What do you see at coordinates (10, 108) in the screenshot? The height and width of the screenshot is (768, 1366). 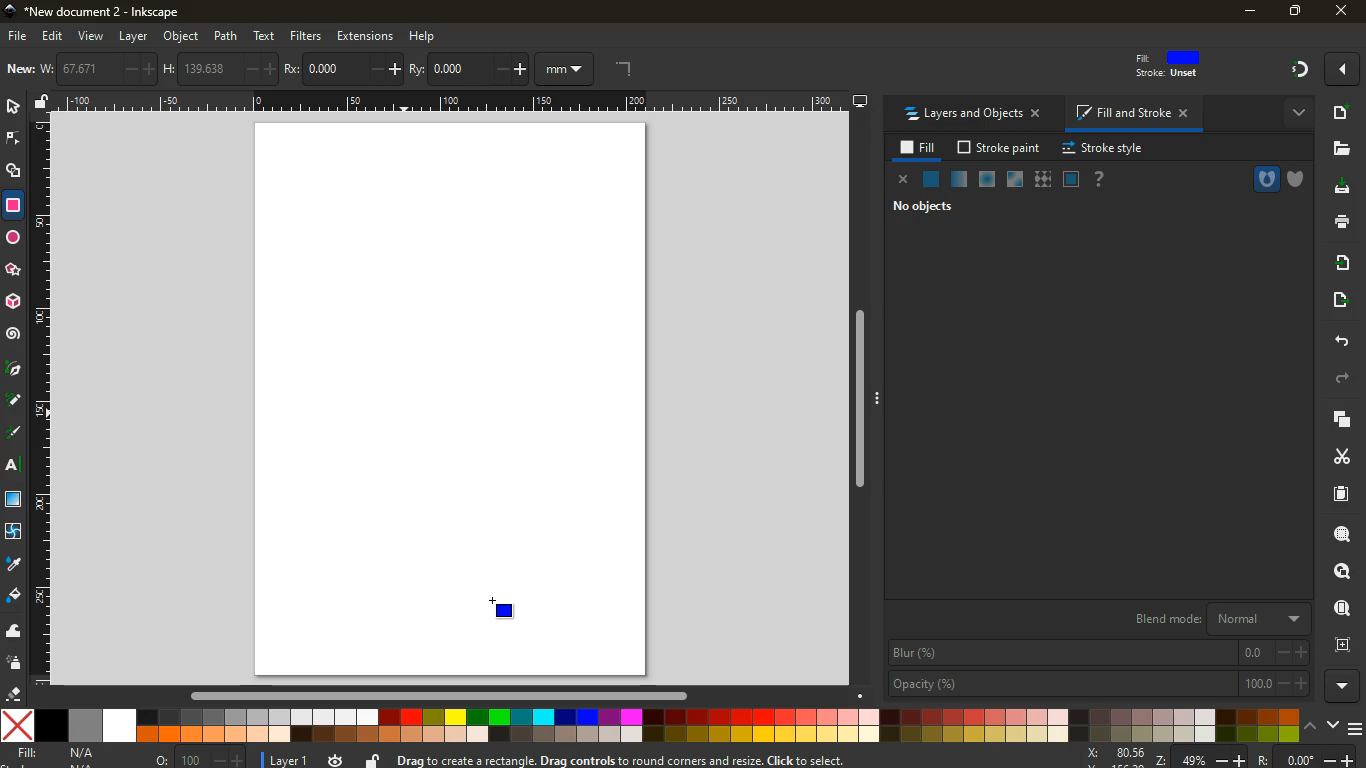 I see `select` at bounding box center [10, 108].